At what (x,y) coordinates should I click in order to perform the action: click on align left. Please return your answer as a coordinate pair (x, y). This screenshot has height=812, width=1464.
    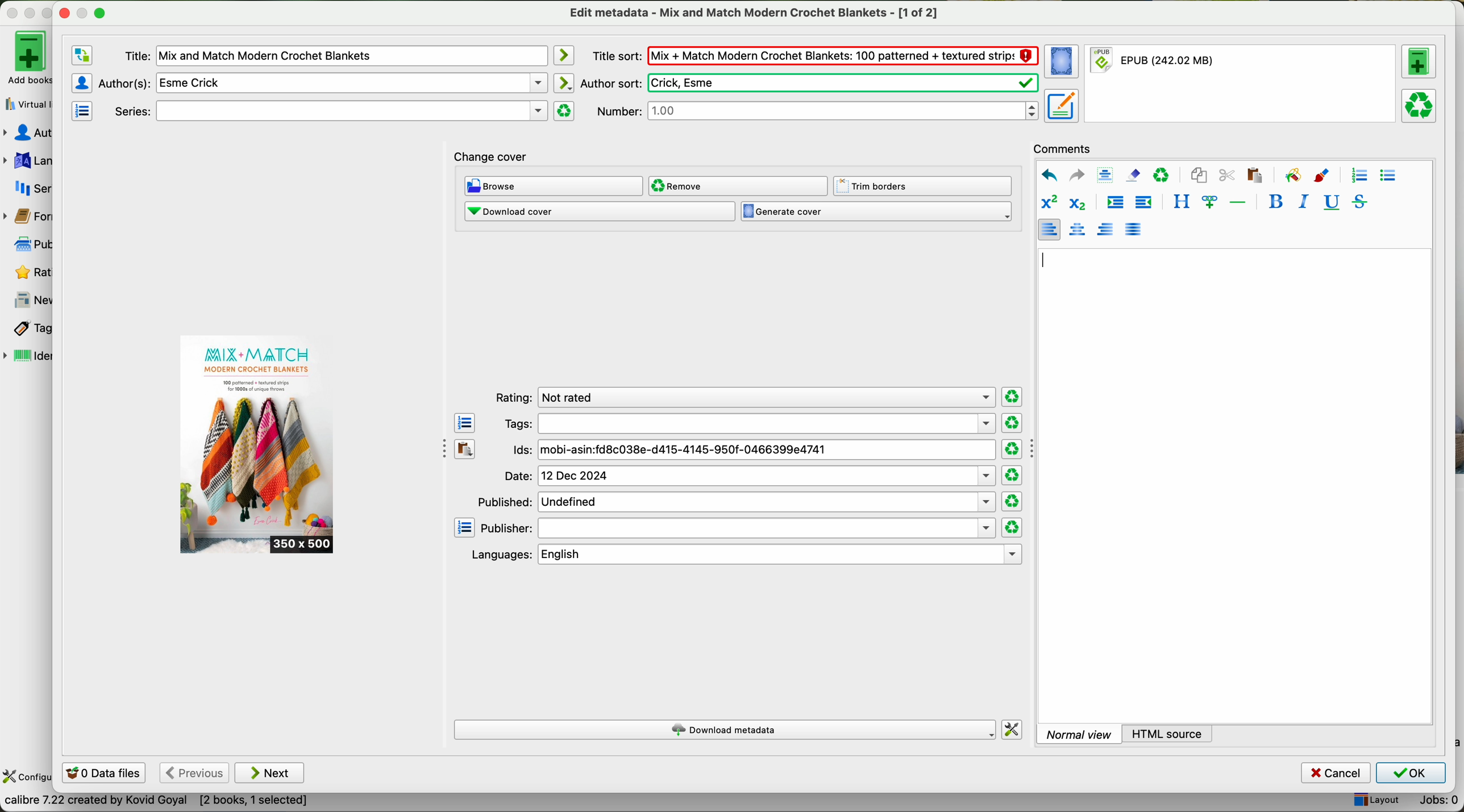
    Looking at the image, I should click on (1049, 229).